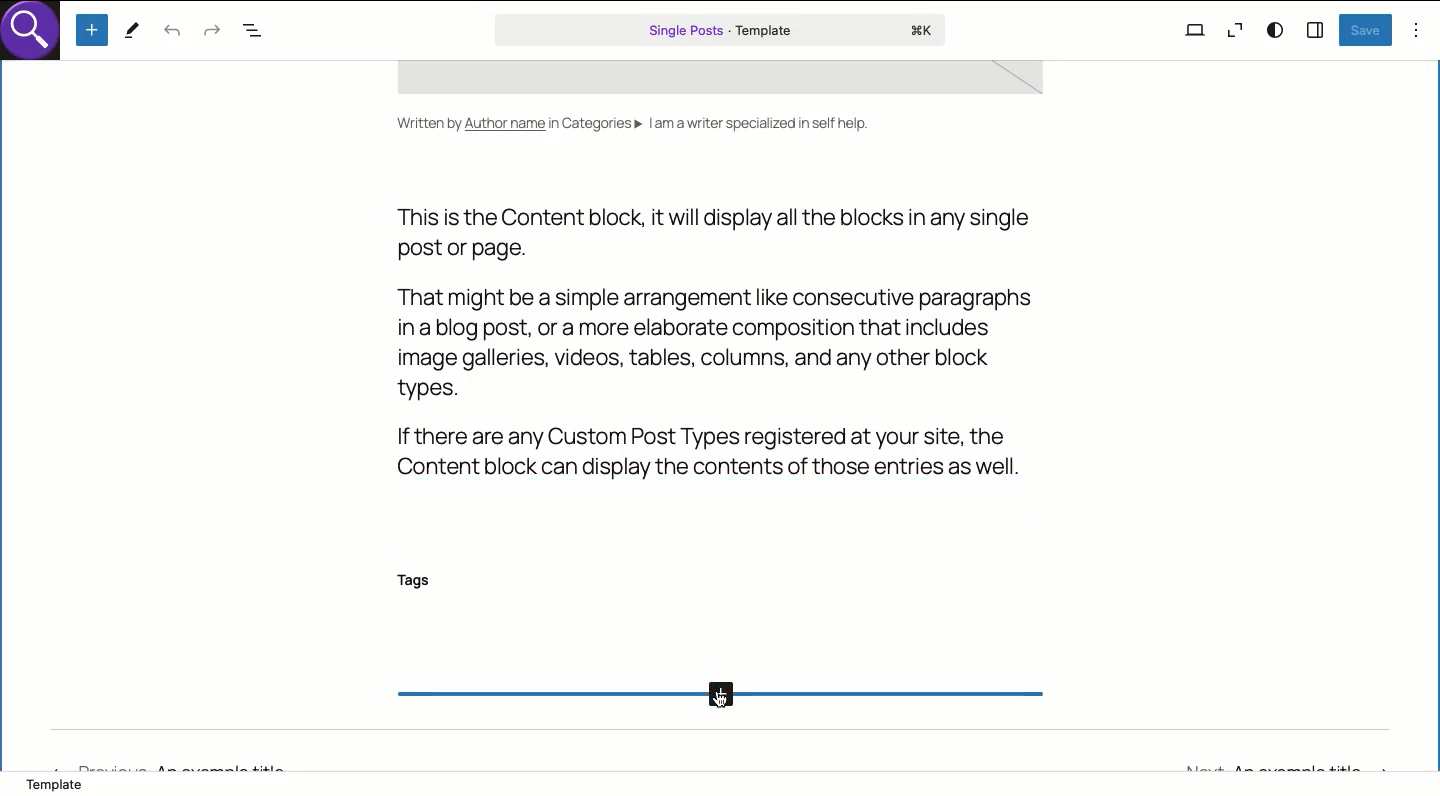 This screenshot has width=1440, height=796. Describe the element at coordinates (420, 581) in the screenshot. I see `Tags` at that location.